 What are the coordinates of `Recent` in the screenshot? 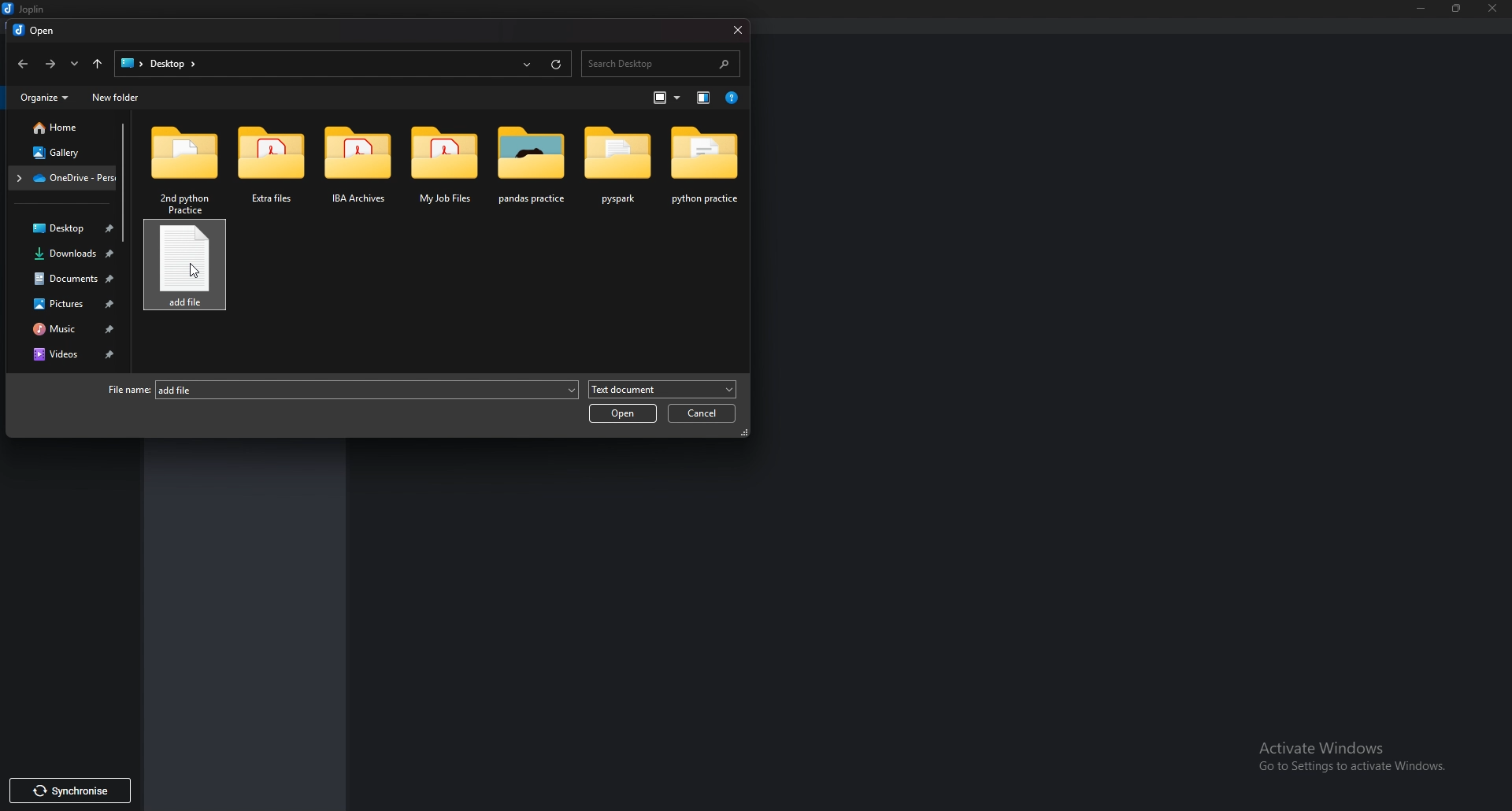 It's located at (529, 63).